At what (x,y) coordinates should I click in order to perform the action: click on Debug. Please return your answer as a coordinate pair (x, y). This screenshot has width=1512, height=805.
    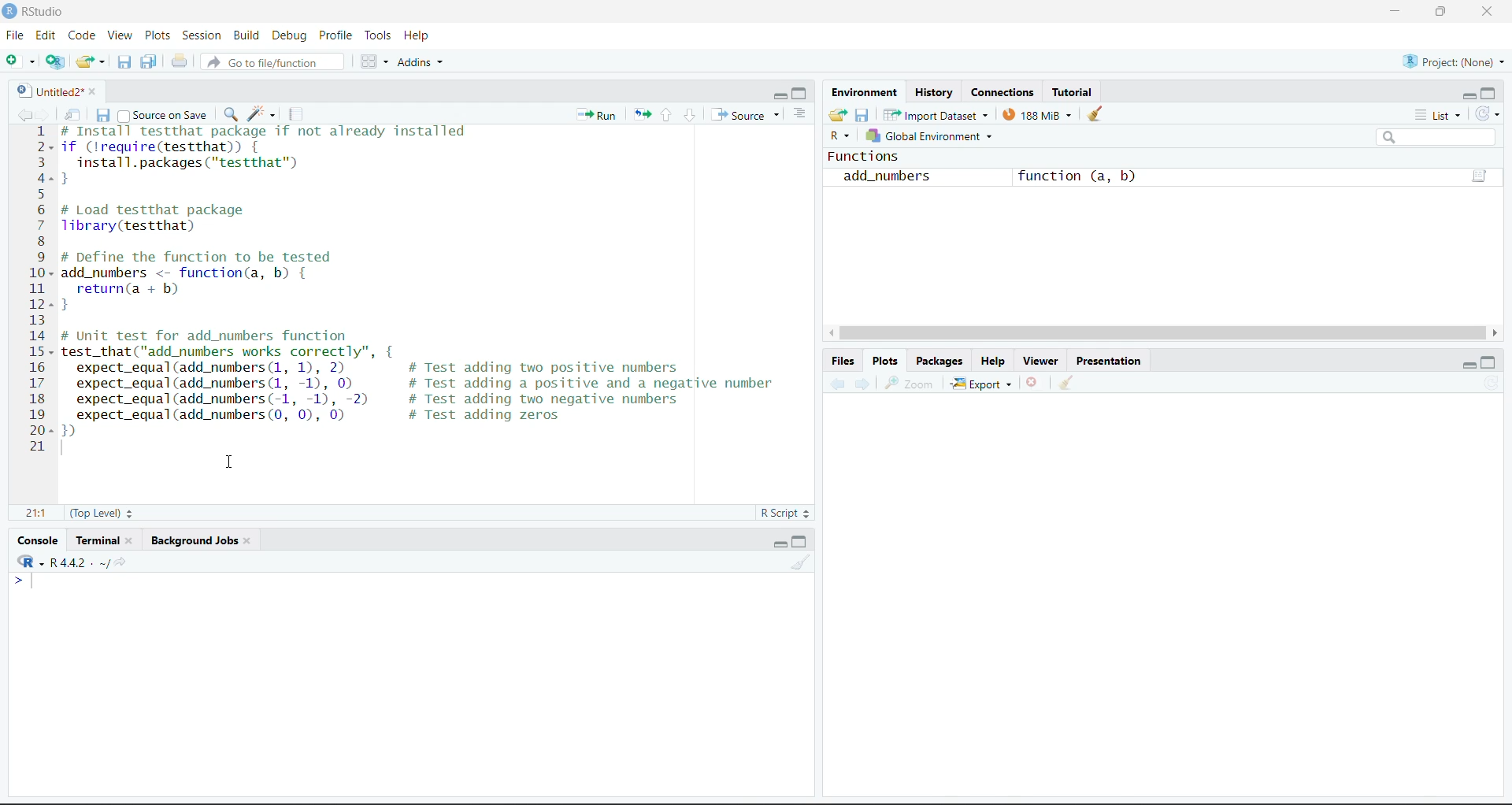
    Looking at the image, I should click on (289, 35).